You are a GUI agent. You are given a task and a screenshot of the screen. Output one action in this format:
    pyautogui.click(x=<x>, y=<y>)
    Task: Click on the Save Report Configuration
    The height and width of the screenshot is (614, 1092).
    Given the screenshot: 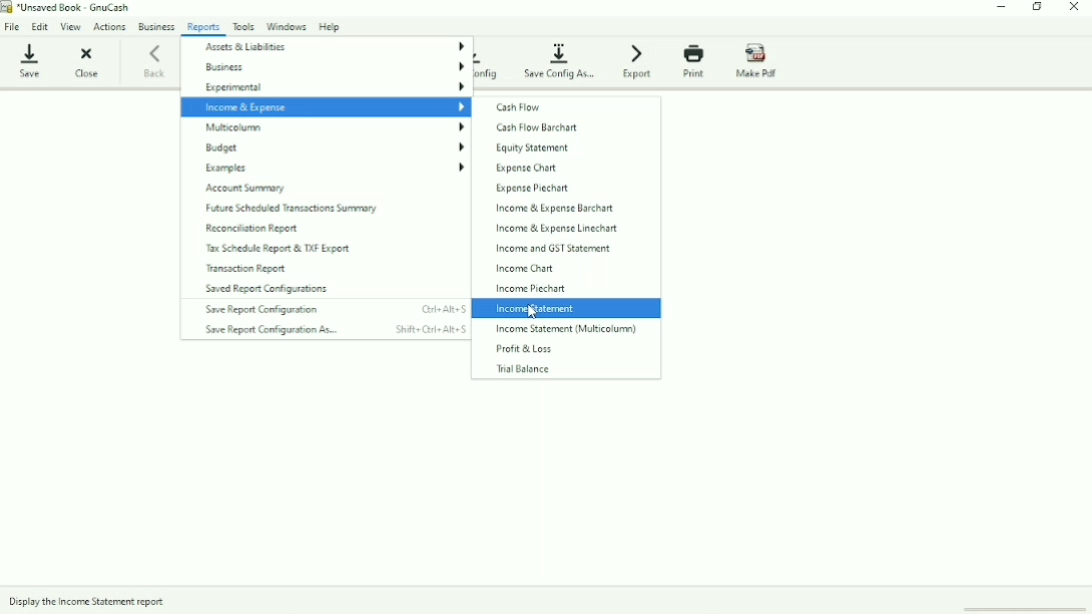 What is the action you would take?
    pyautogui.click(x=335, y=309)
    